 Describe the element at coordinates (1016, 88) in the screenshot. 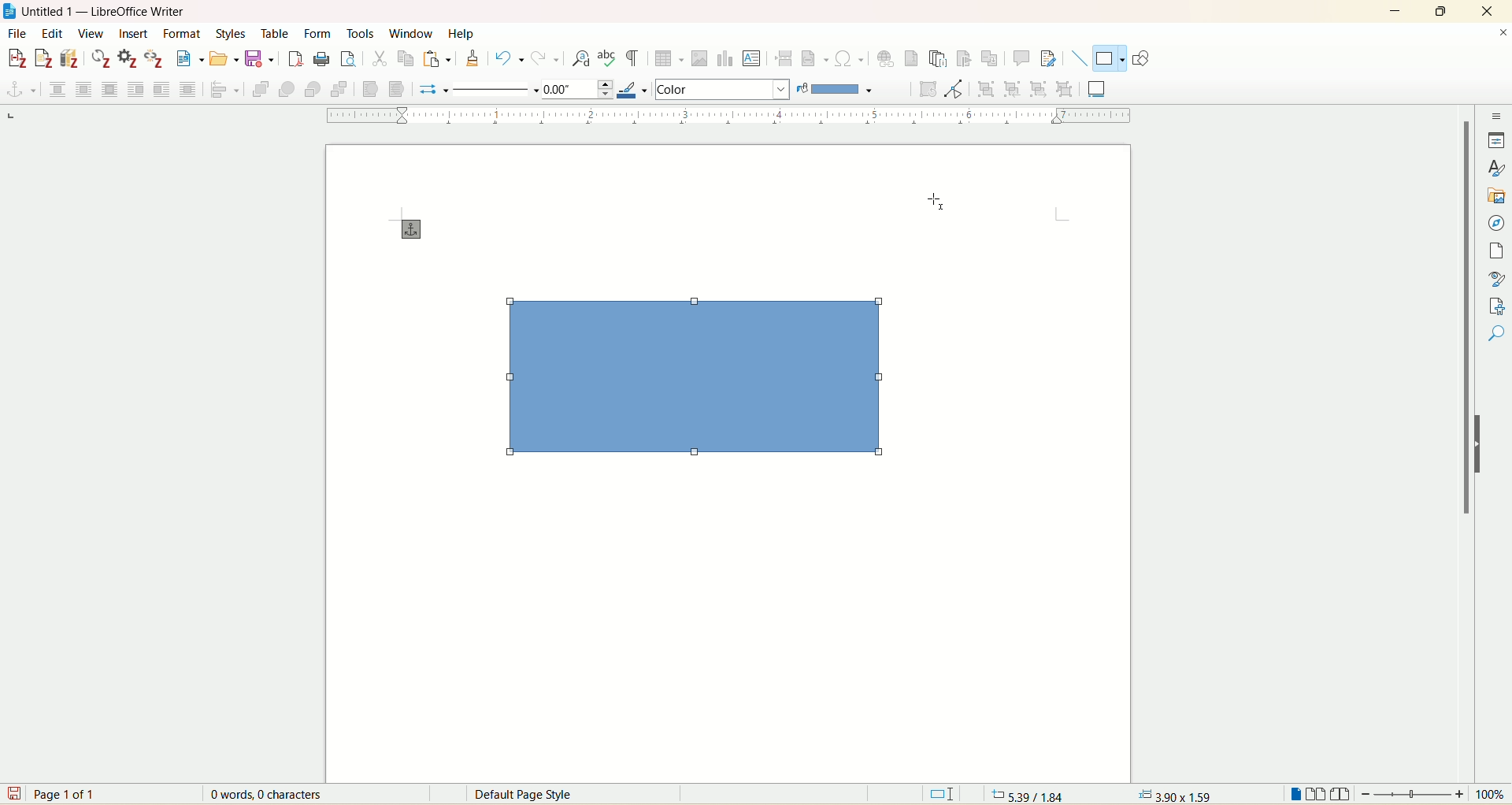

I see `enter group` at that location.